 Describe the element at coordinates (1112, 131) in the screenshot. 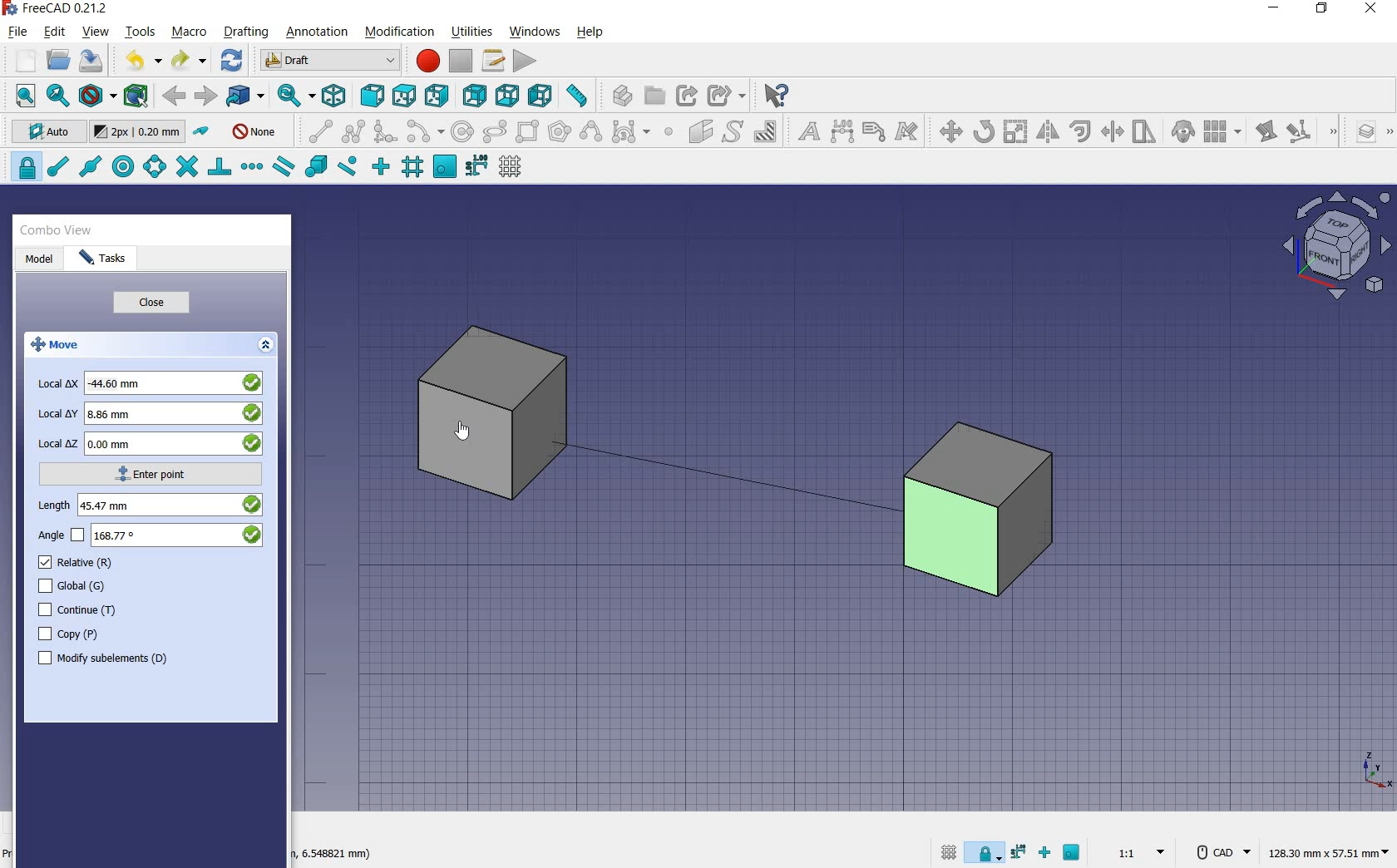

I see `trimex` at that location.